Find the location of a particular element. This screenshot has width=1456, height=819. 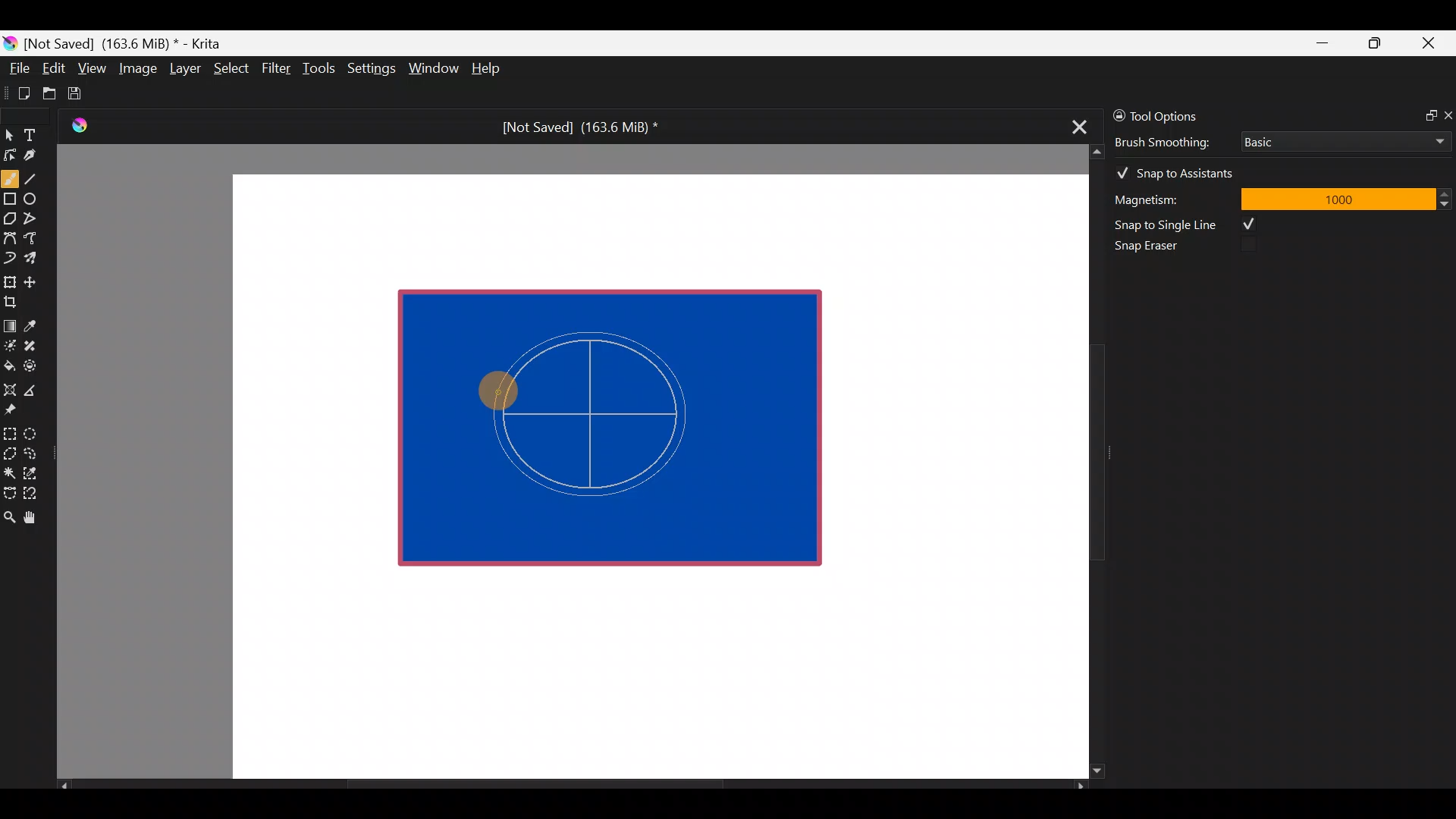

Snap to assistants is located at coordinates (1182, 170).